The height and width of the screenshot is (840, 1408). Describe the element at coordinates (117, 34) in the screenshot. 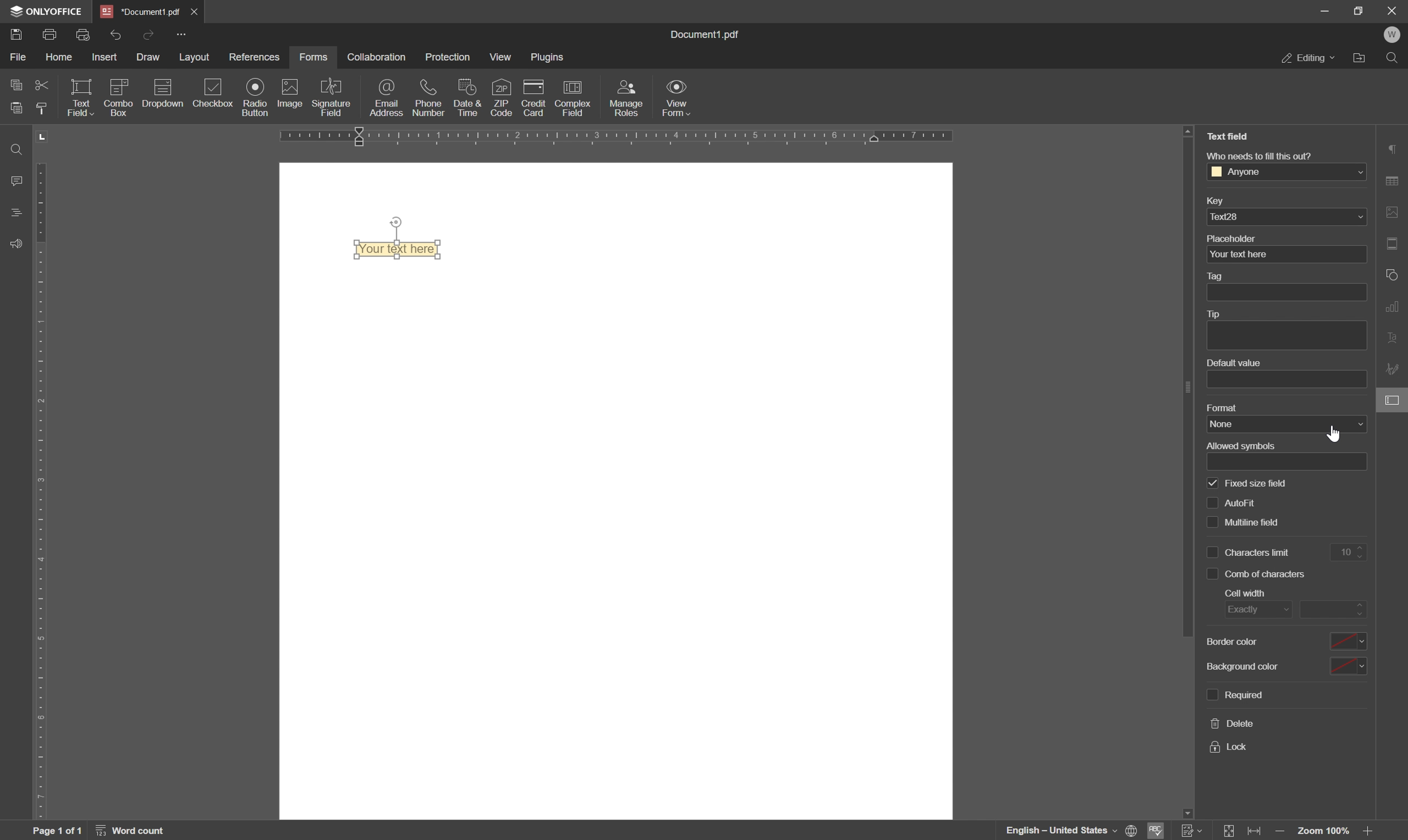

I see `undo` at that location.